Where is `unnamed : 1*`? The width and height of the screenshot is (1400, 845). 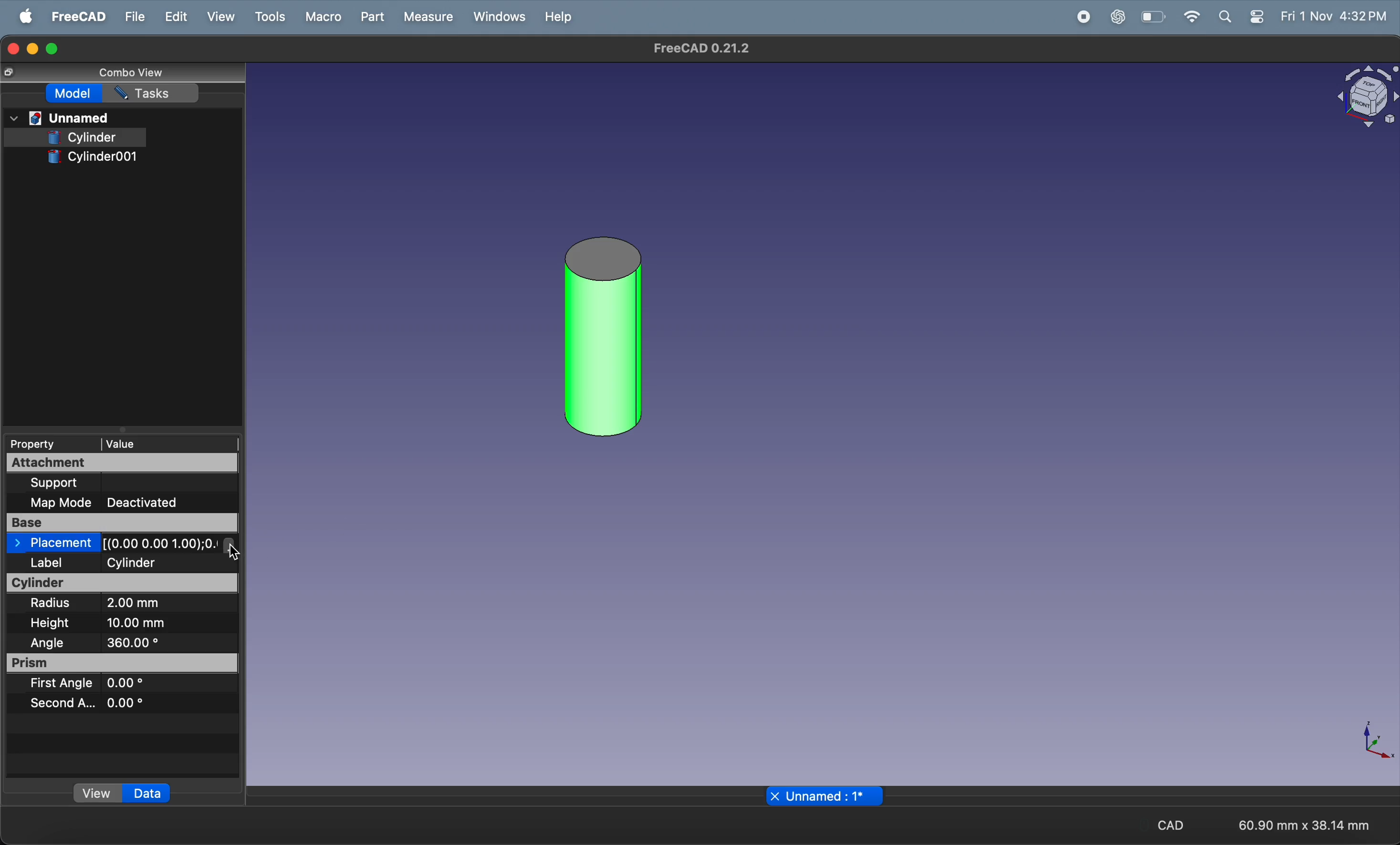 unnamed : 1* is located at coordinates (834, 796).